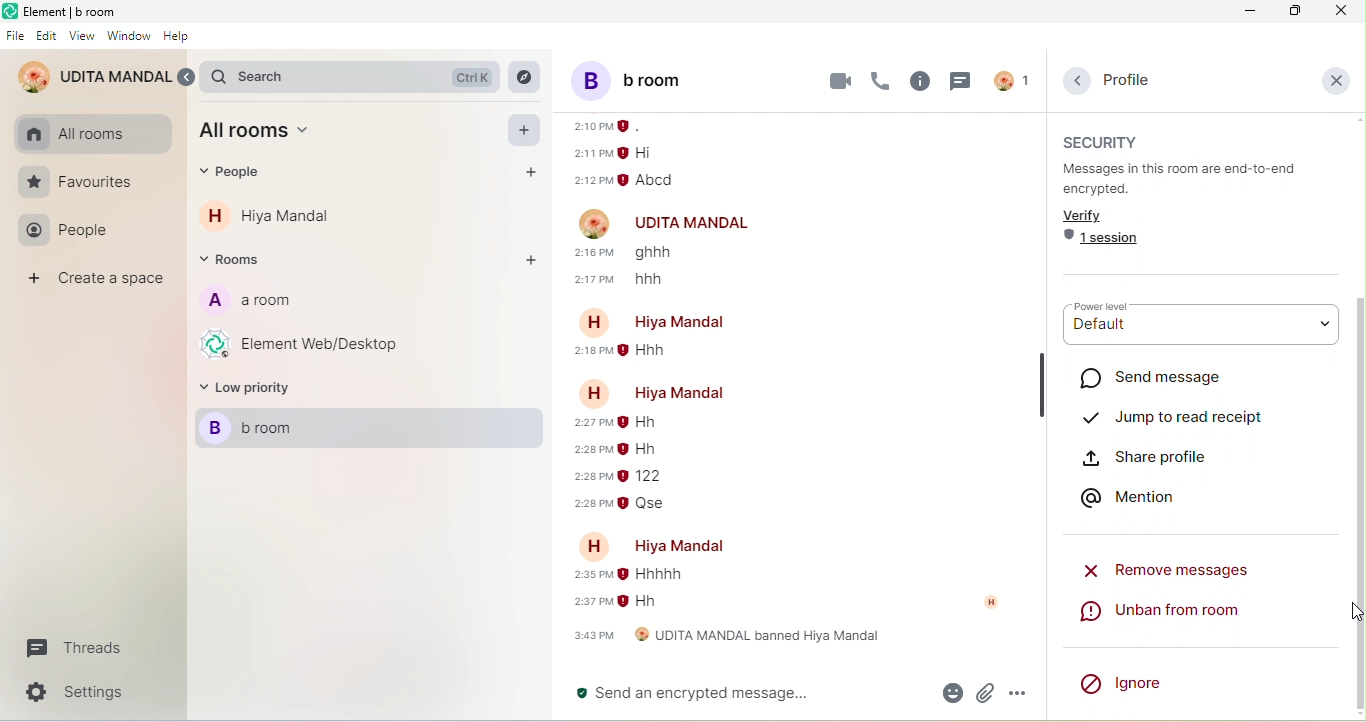 This screenshot has height=722, width=1366. Describe the element at coordinates (643, 604) in the screenshot. I see `hh-older message from hiya mandal` at that location.